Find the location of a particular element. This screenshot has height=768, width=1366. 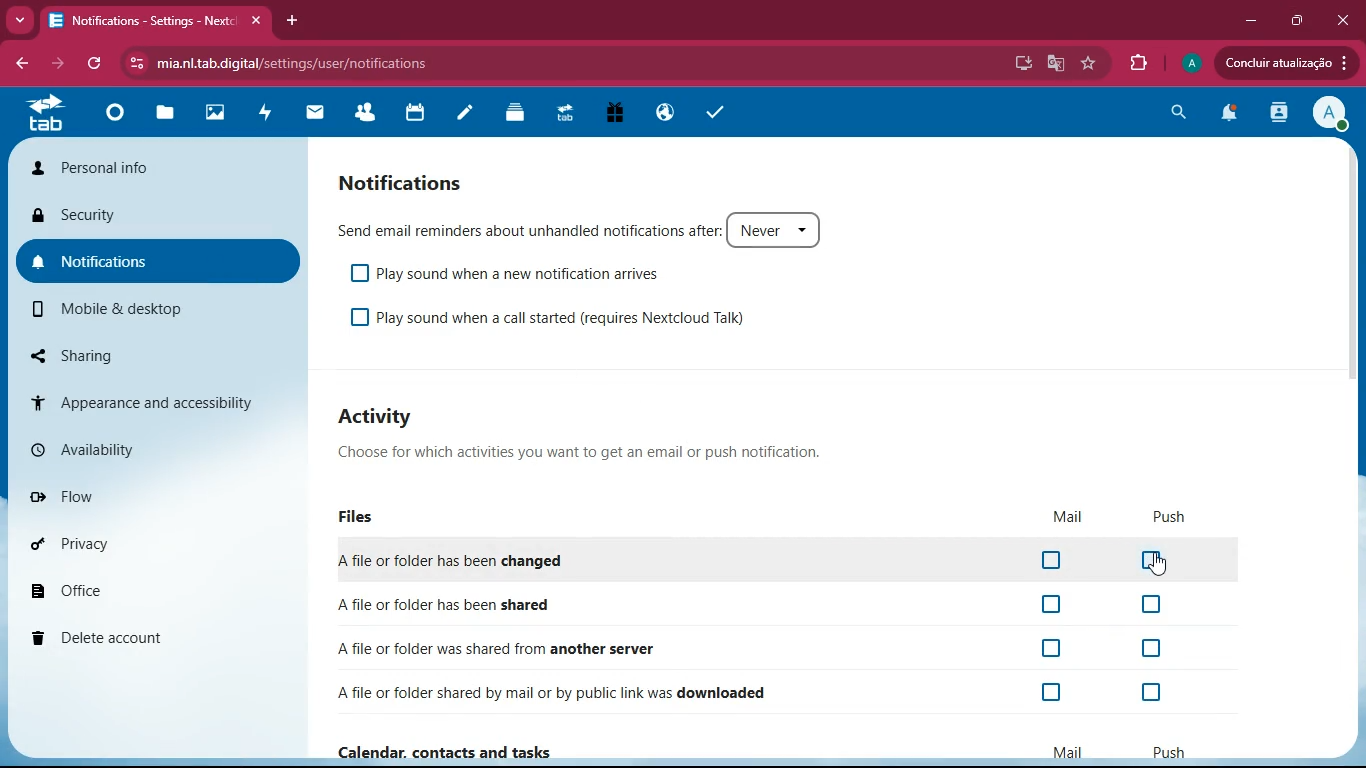

home is located at coordinates (115, 121).